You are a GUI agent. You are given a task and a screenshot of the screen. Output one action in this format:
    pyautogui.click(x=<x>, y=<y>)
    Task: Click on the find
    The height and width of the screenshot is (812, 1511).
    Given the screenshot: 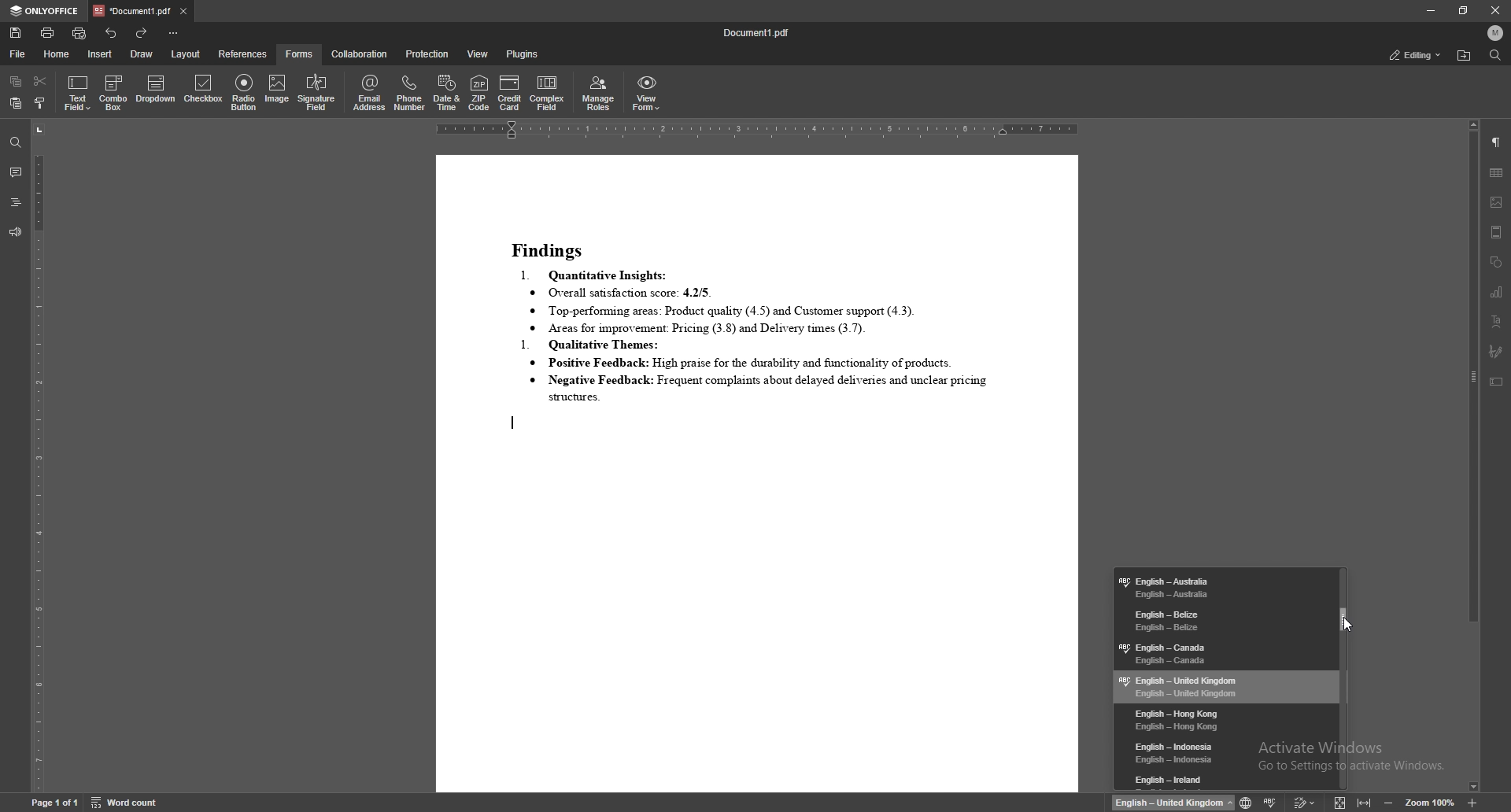 What is the action you would take?
    pyautogui.click(x=1496, y=54)
    